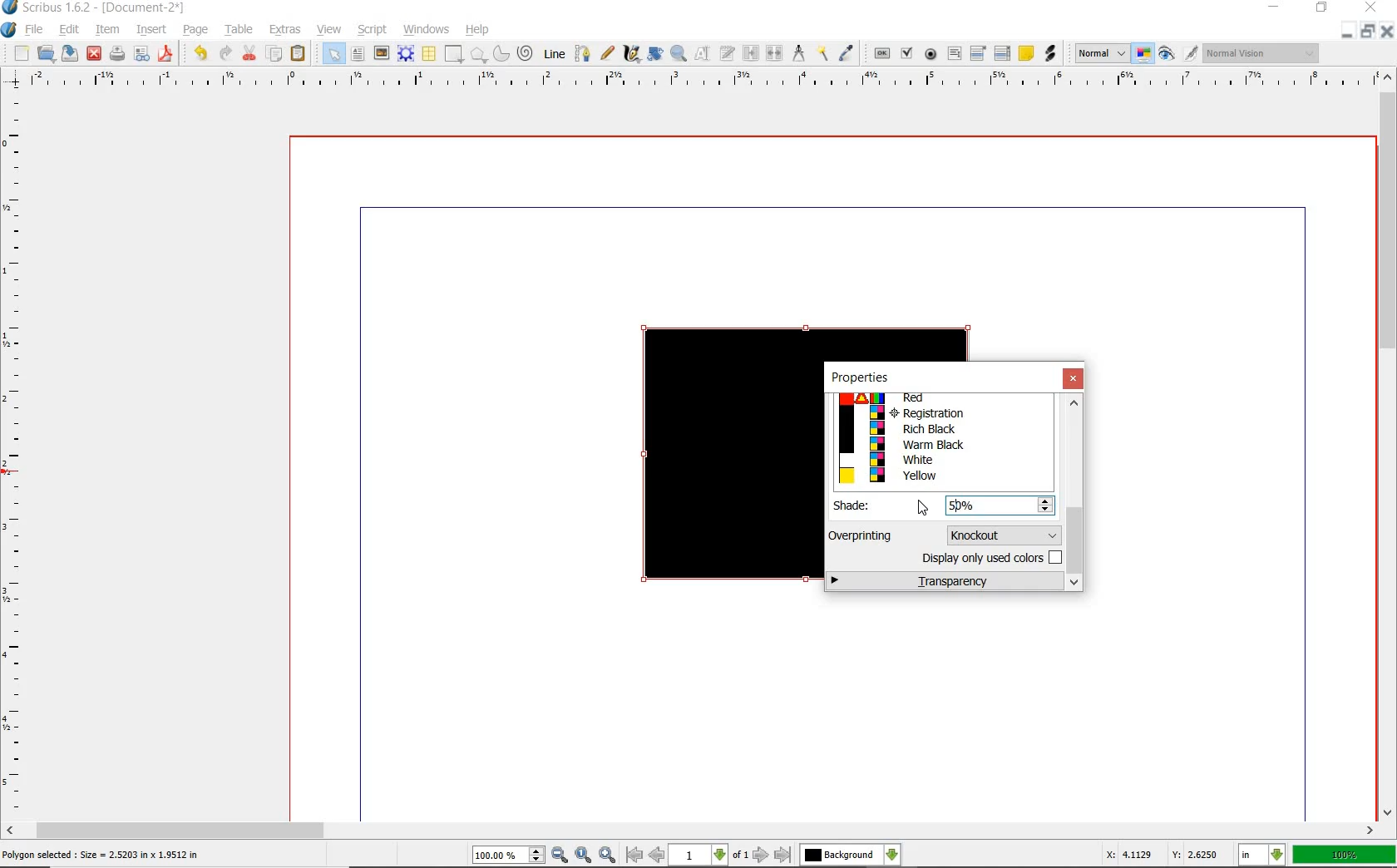  I want to click on go to next page, so click(761, 856).